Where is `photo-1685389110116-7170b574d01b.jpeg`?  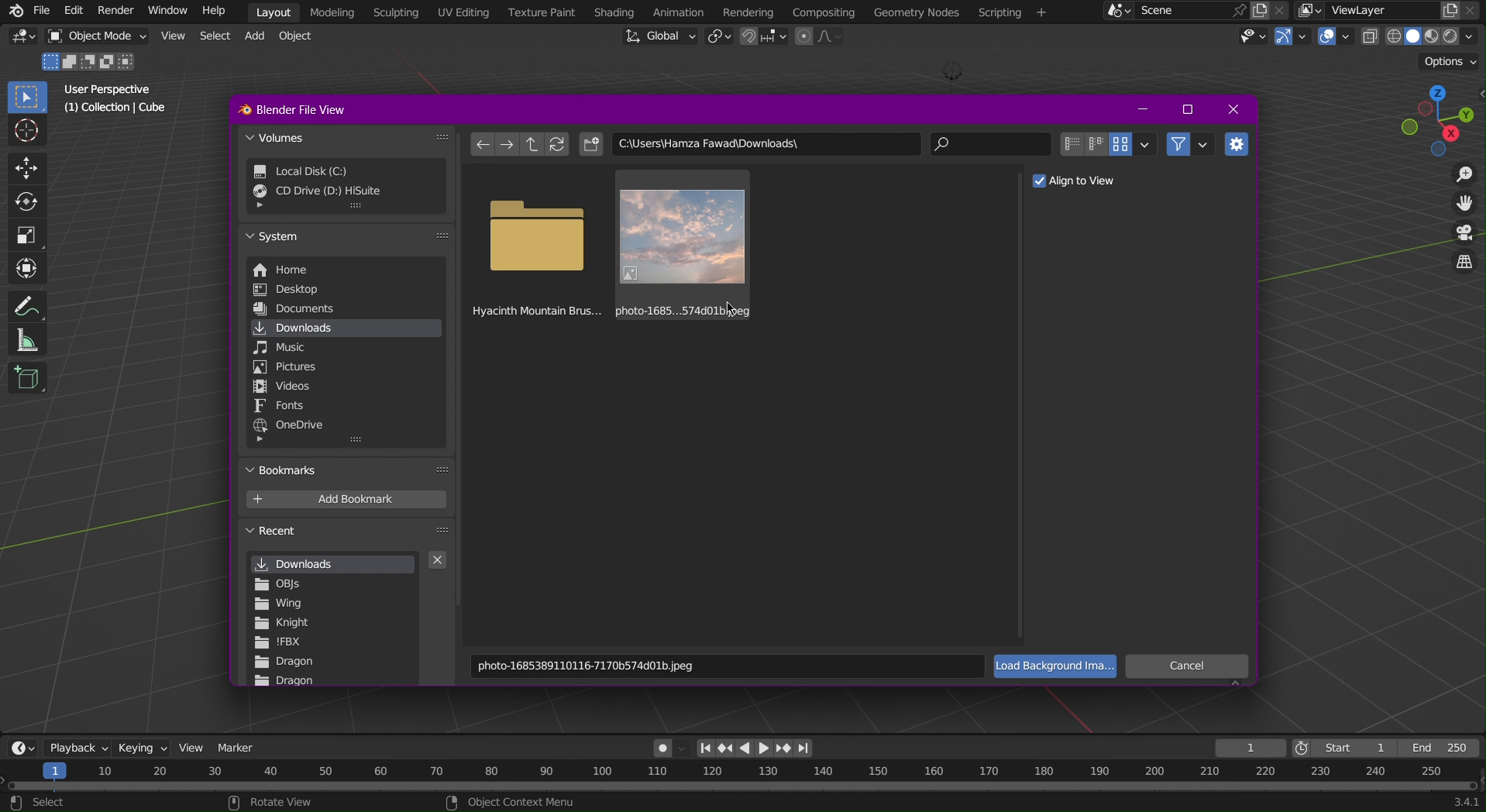 photo-1685389110116-7170b574d01b.jpeg is located at coordinates (728, 666).